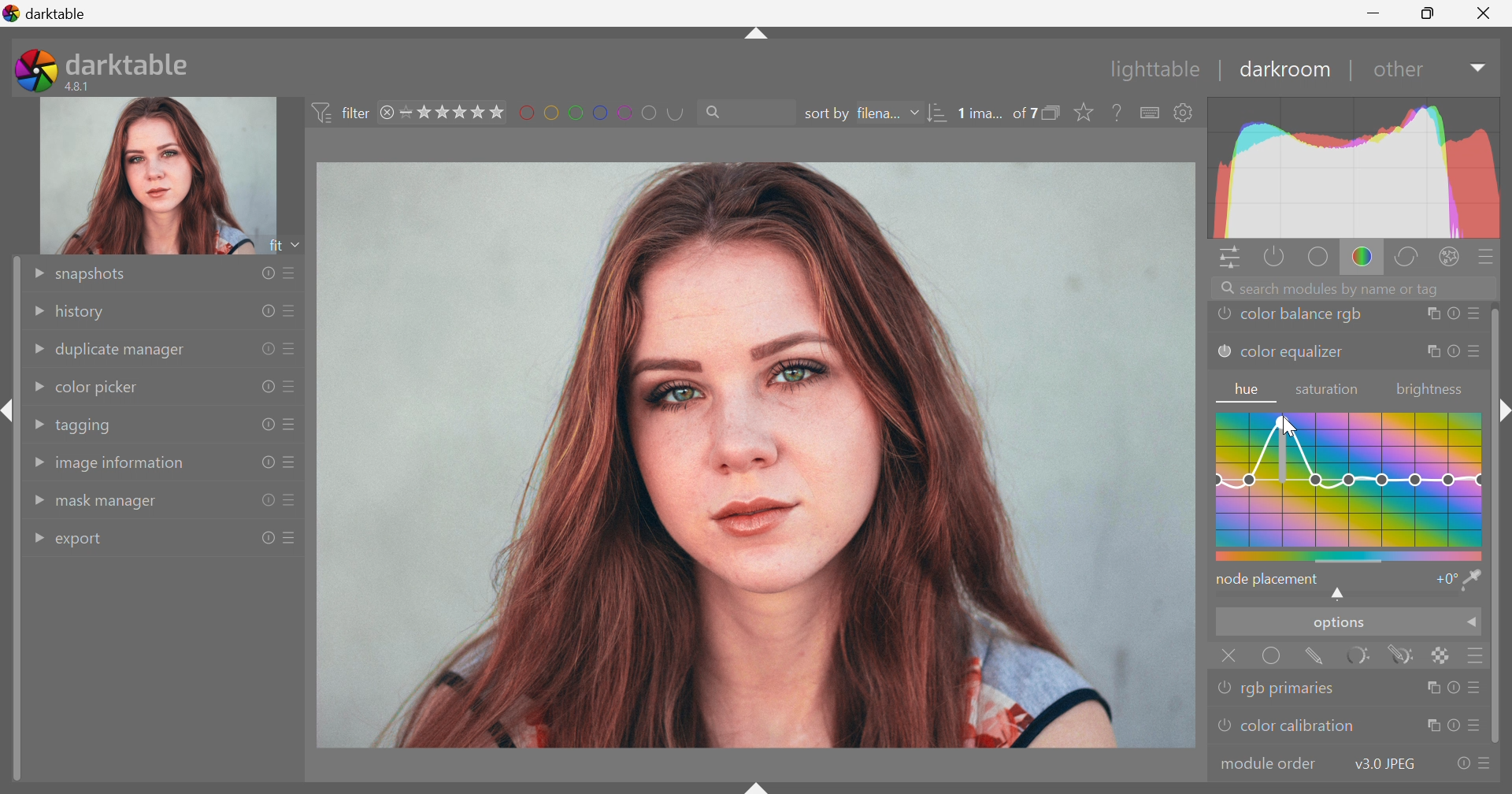  What do you see at coordinates (1458, 765) in the screenshot?
I see `reset` at bounding box center [1458, 765].